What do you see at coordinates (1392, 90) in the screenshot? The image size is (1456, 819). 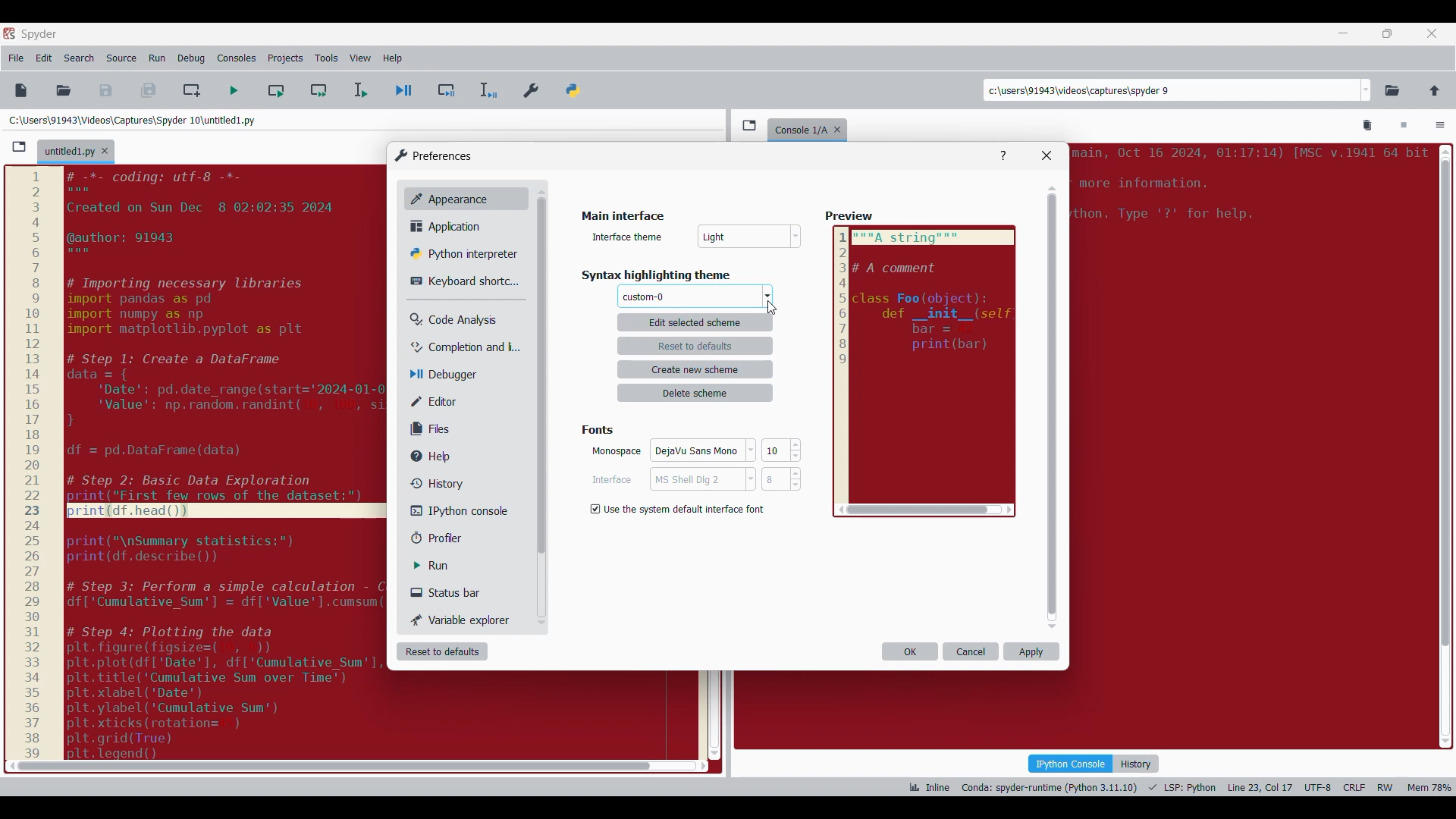 I see `Browse a working directory` at bounding box center [1392, 90].